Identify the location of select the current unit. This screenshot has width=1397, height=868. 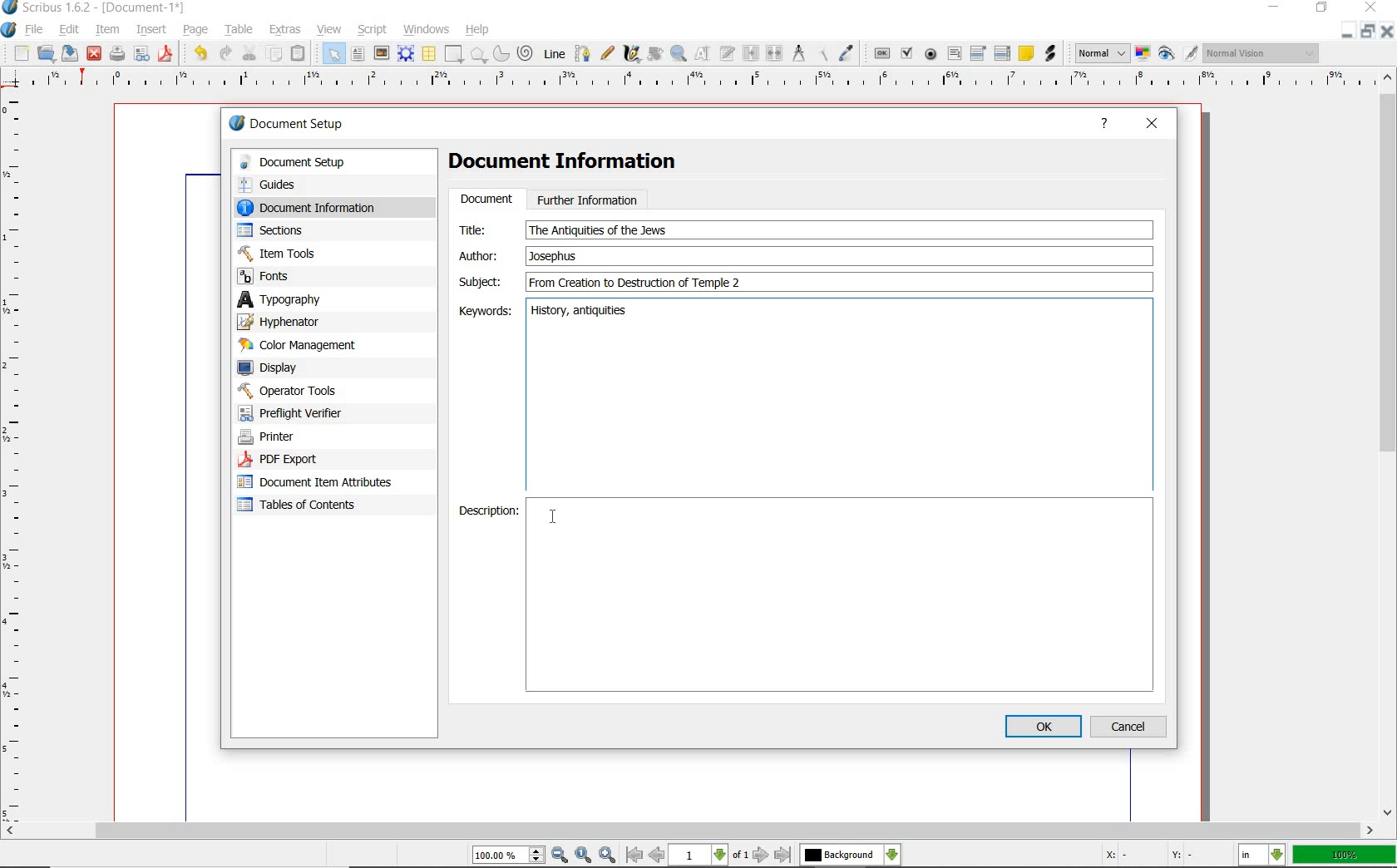
(1261, 855).